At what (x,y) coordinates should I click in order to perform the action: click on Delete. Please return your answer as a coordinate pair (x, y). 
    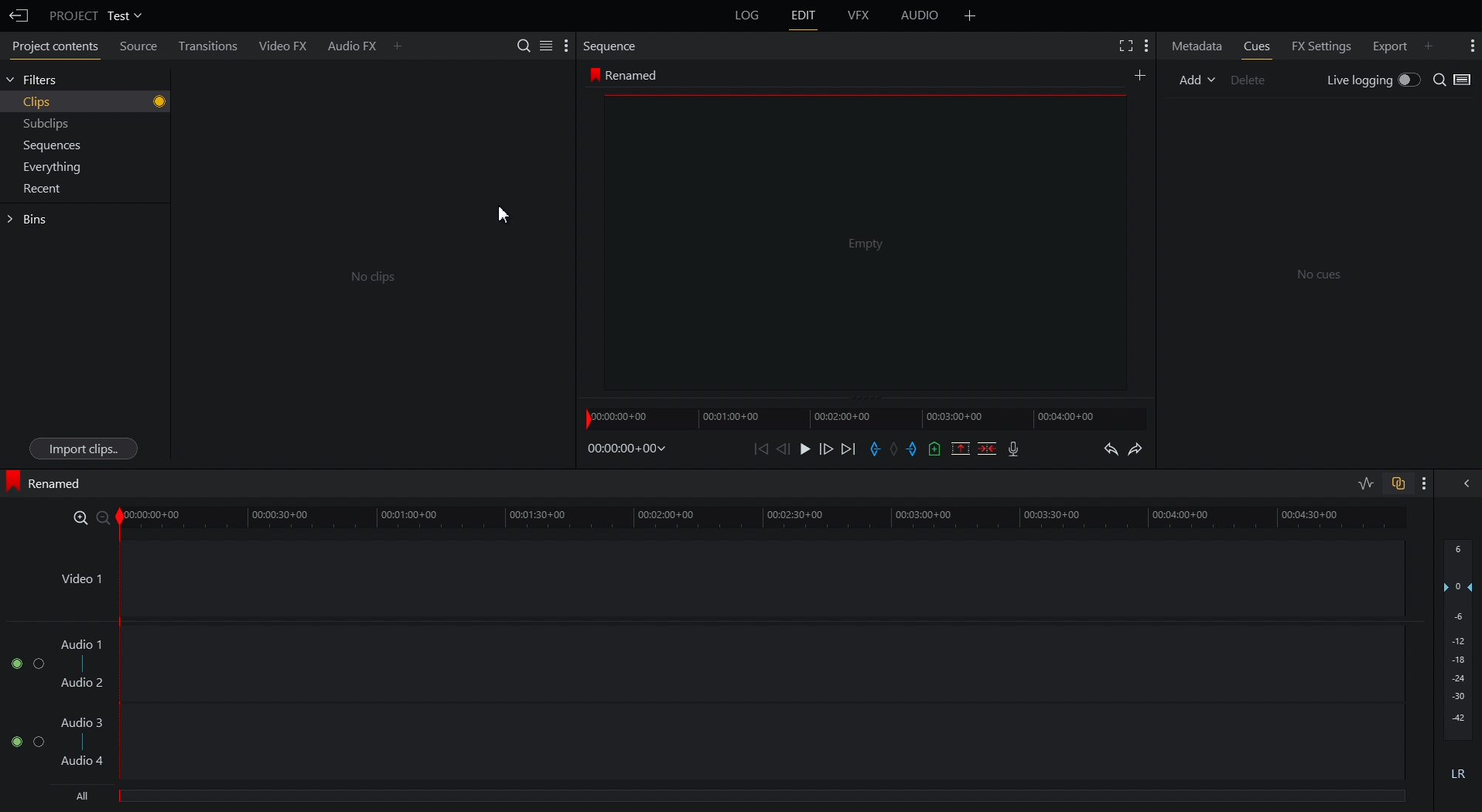
    Looking at the image, I should click on (1250, 82).